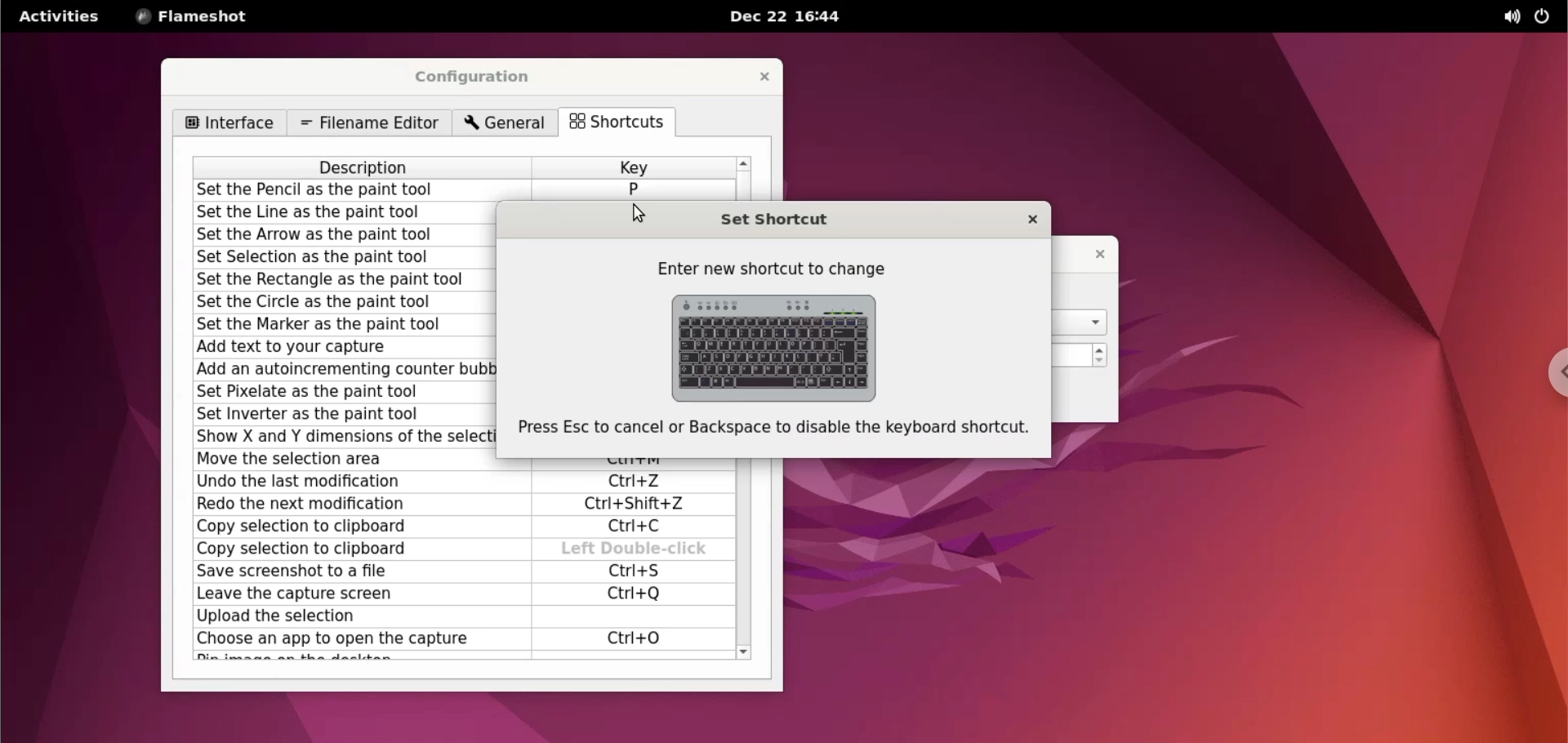 The image size is (1568, 743). Describe the element at coordinates (800, 216) in the screenshot. I see `set shortcut ` at that location.